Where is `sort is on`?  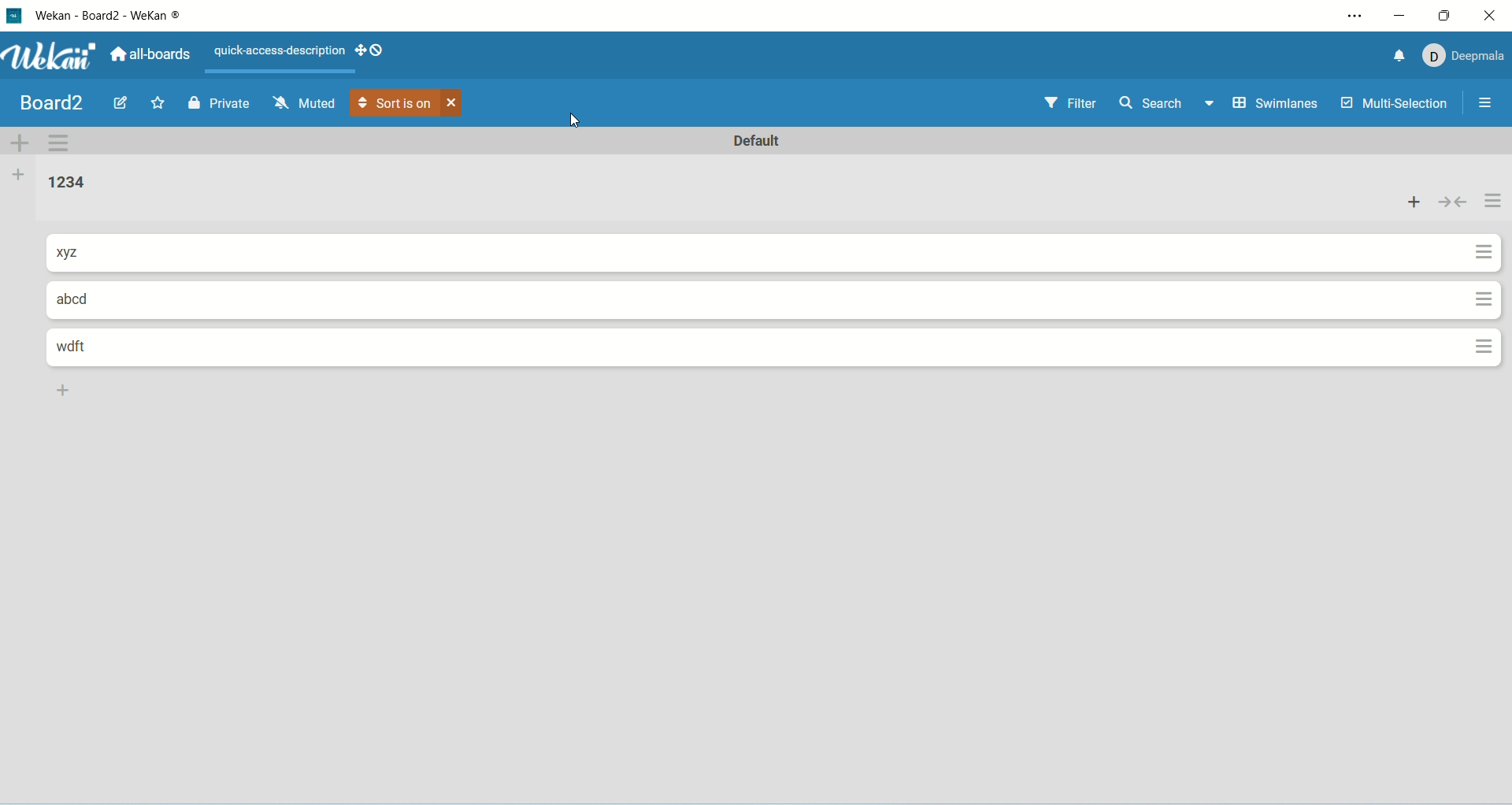
sort is on is located at coordinates (408, 106).